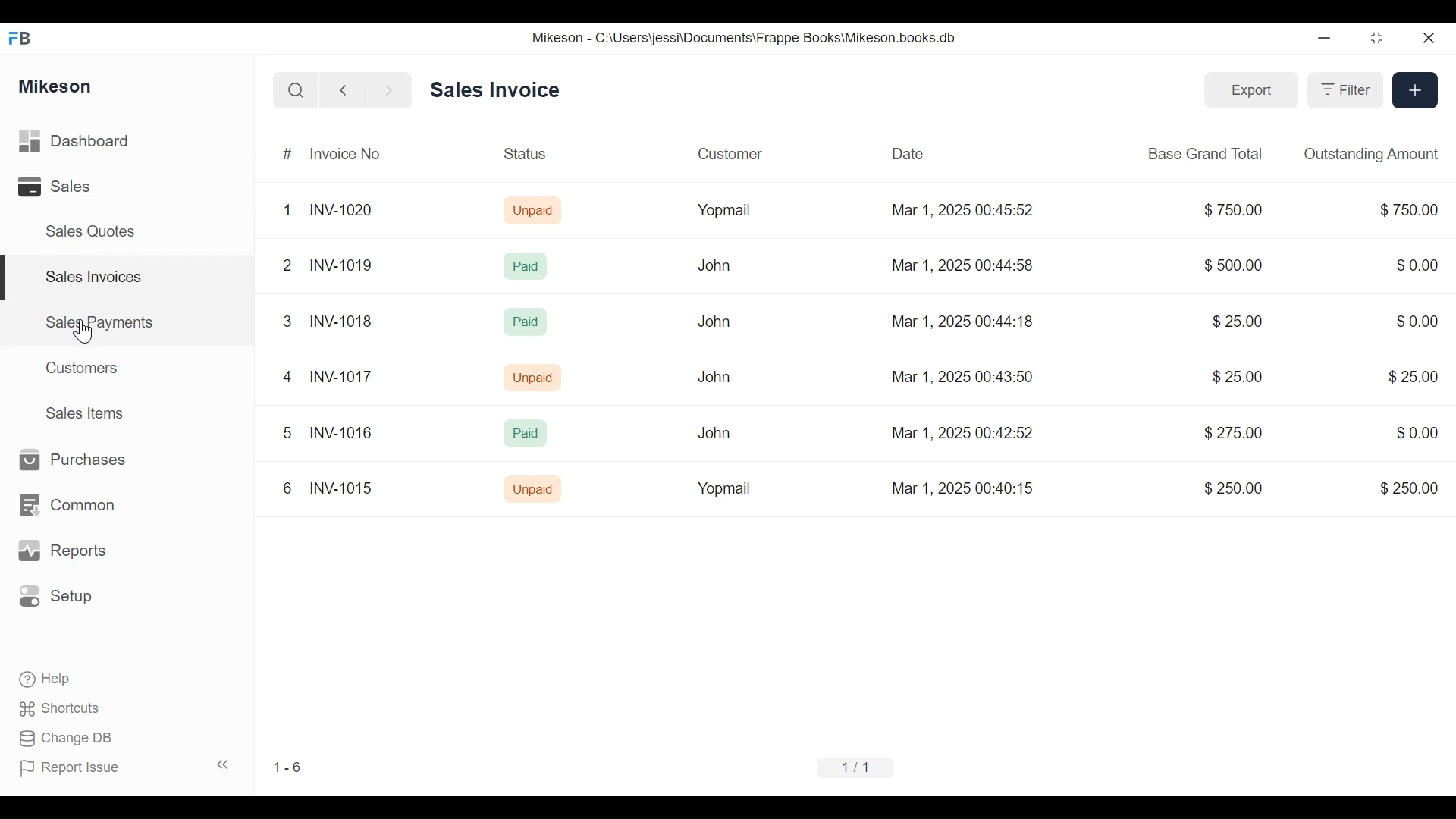 This screenshot has height=819, width=1456. Describe the element at coordinates (61, 597) in the screenshot. I see `Setup` at that location.